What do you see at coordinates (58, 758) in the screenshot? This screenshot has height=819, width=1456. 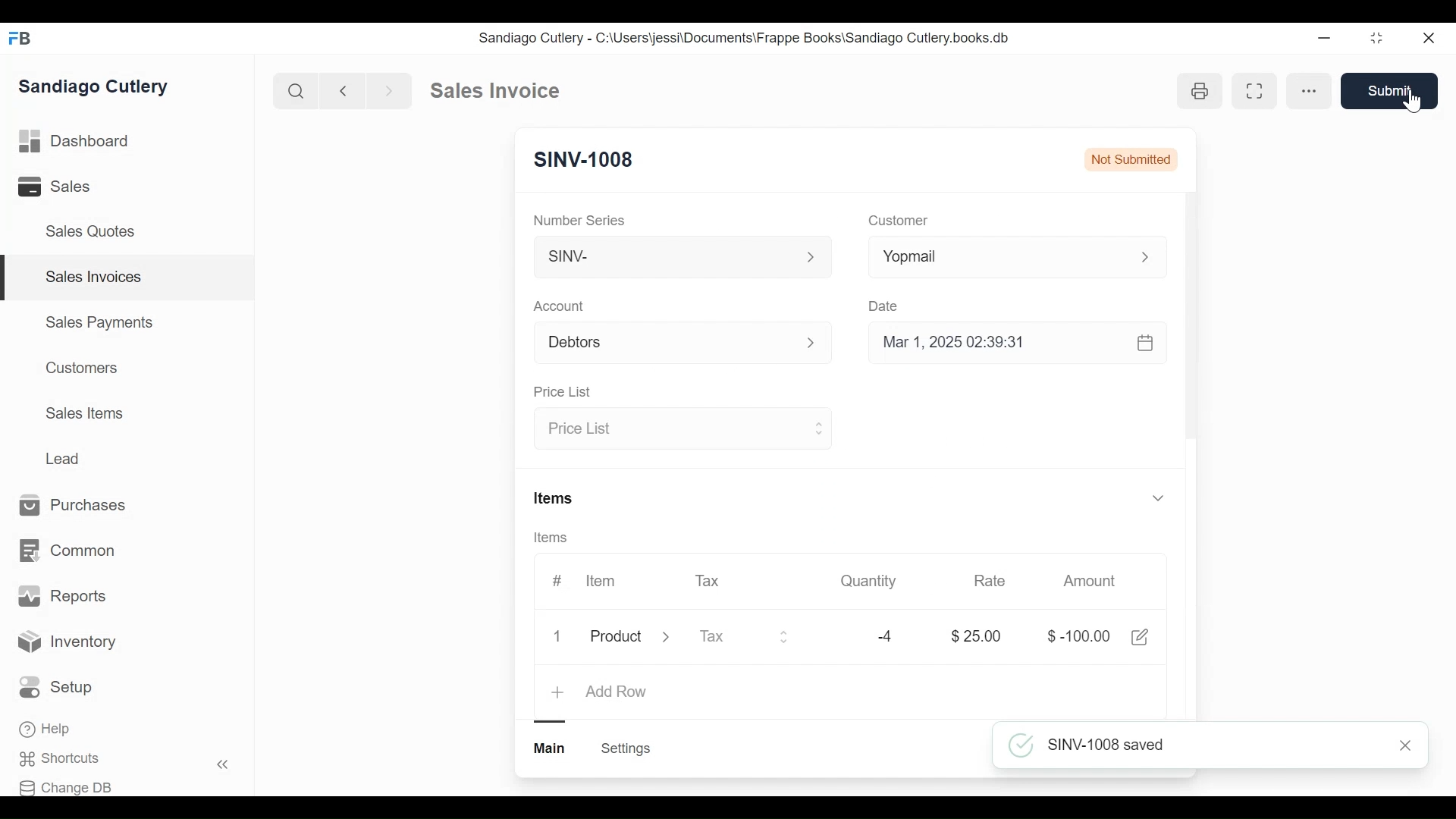 I see `Shortcuts` at bounding box center [58, 758].